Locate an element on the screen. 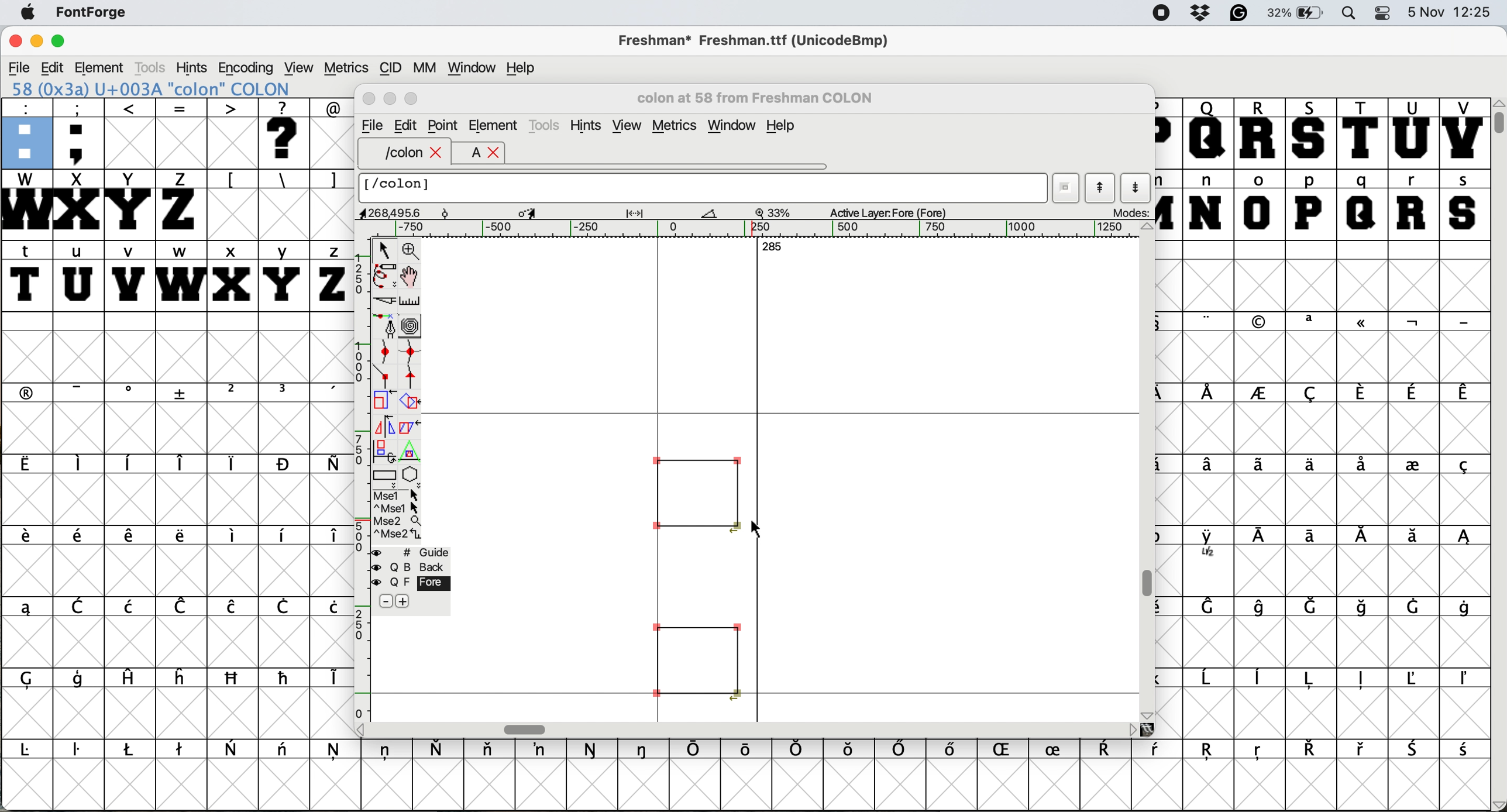 The height and width of the screenshot is (812, 1507). view is located at coordinates (627, 125).